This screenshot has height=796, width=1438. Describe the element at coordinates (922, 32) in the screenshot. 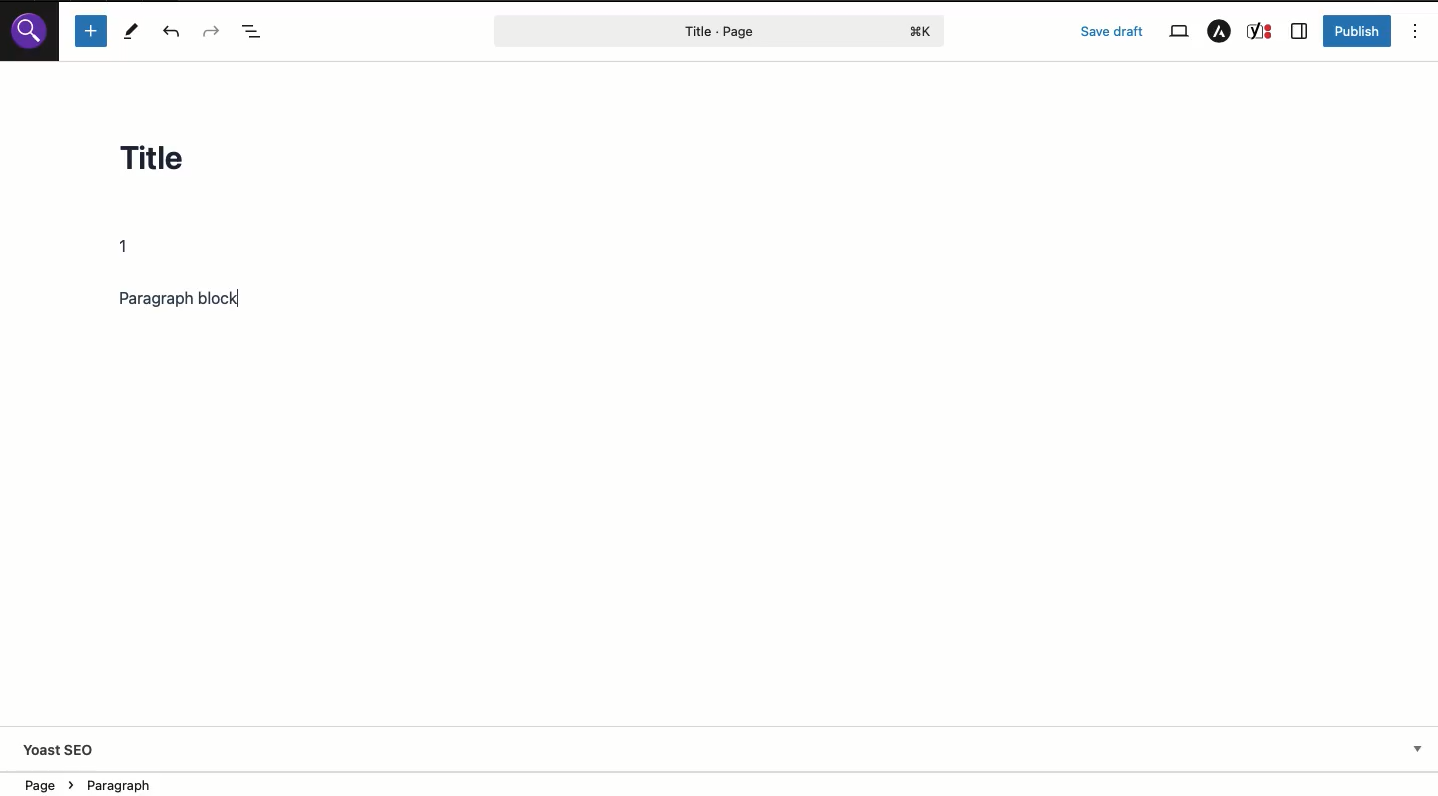

I see `command+K` at that location.